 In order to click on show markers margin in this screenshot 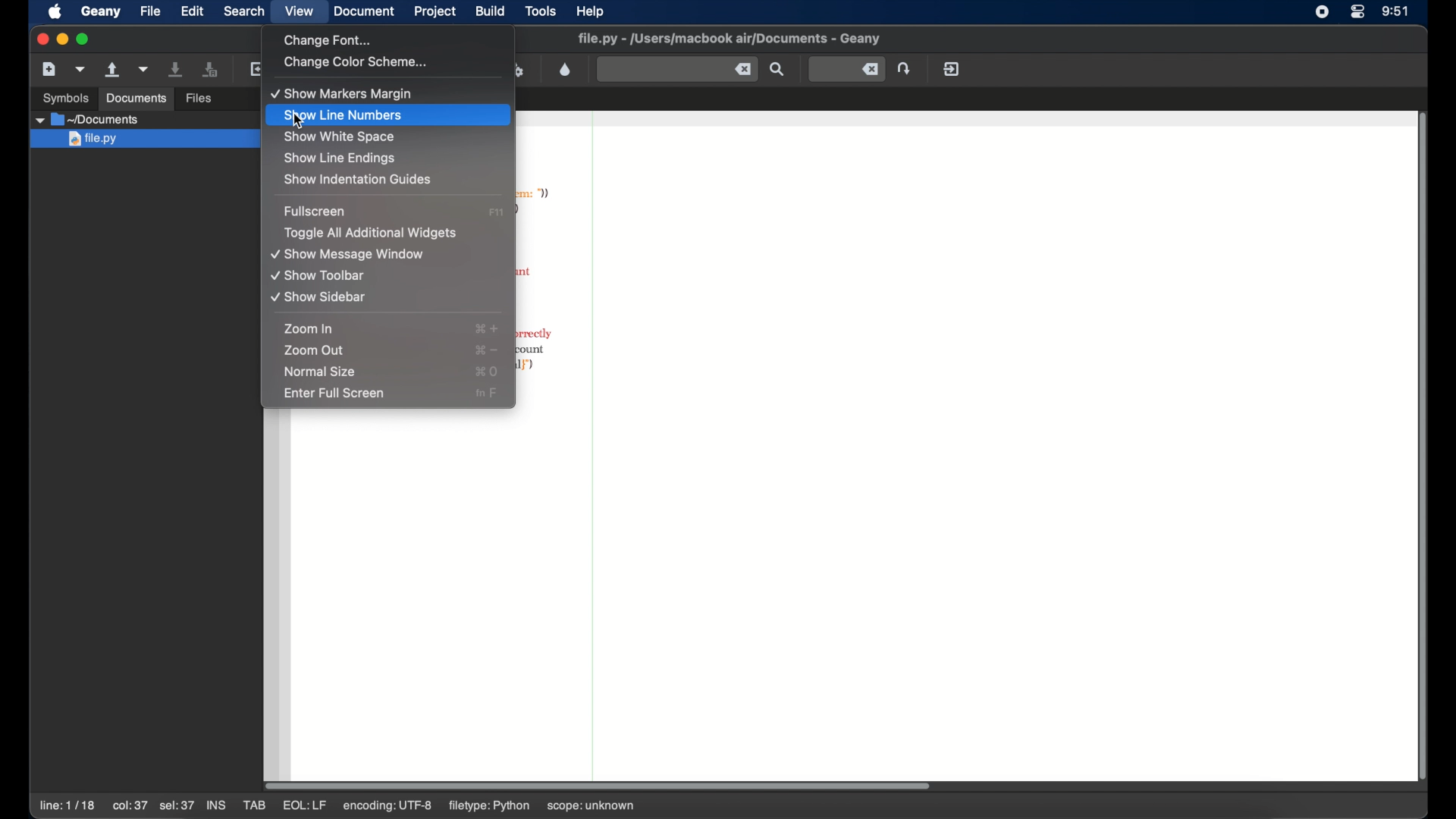, I will do `click(343, 93)`.